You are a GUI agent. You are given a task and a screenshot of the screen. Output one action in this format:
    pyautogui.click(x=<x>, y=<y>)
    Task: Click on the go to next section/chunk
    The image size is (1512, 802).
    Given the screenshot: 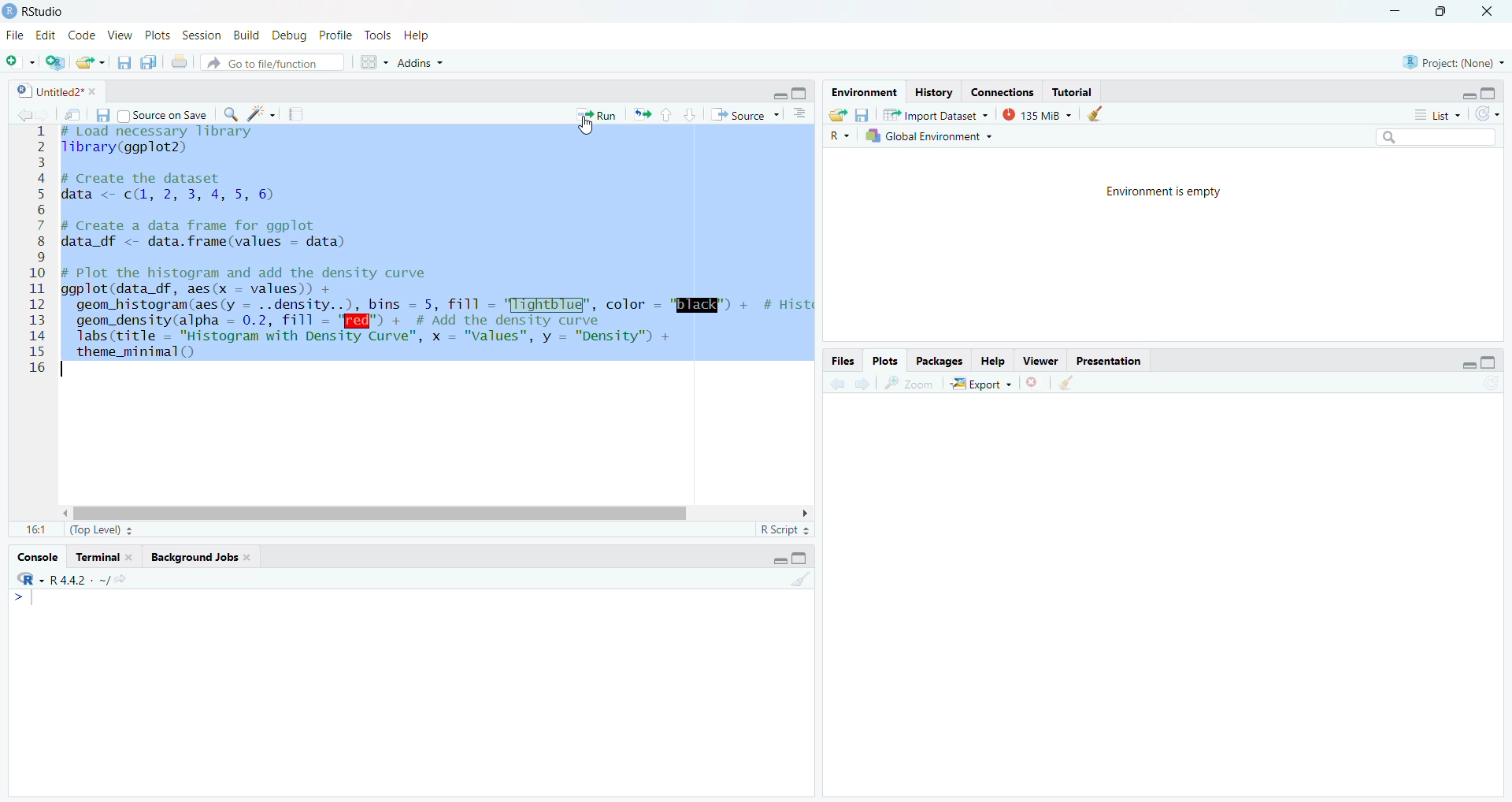 What is the action you would take?
    pyautogui.click(x=690, y=116)
    